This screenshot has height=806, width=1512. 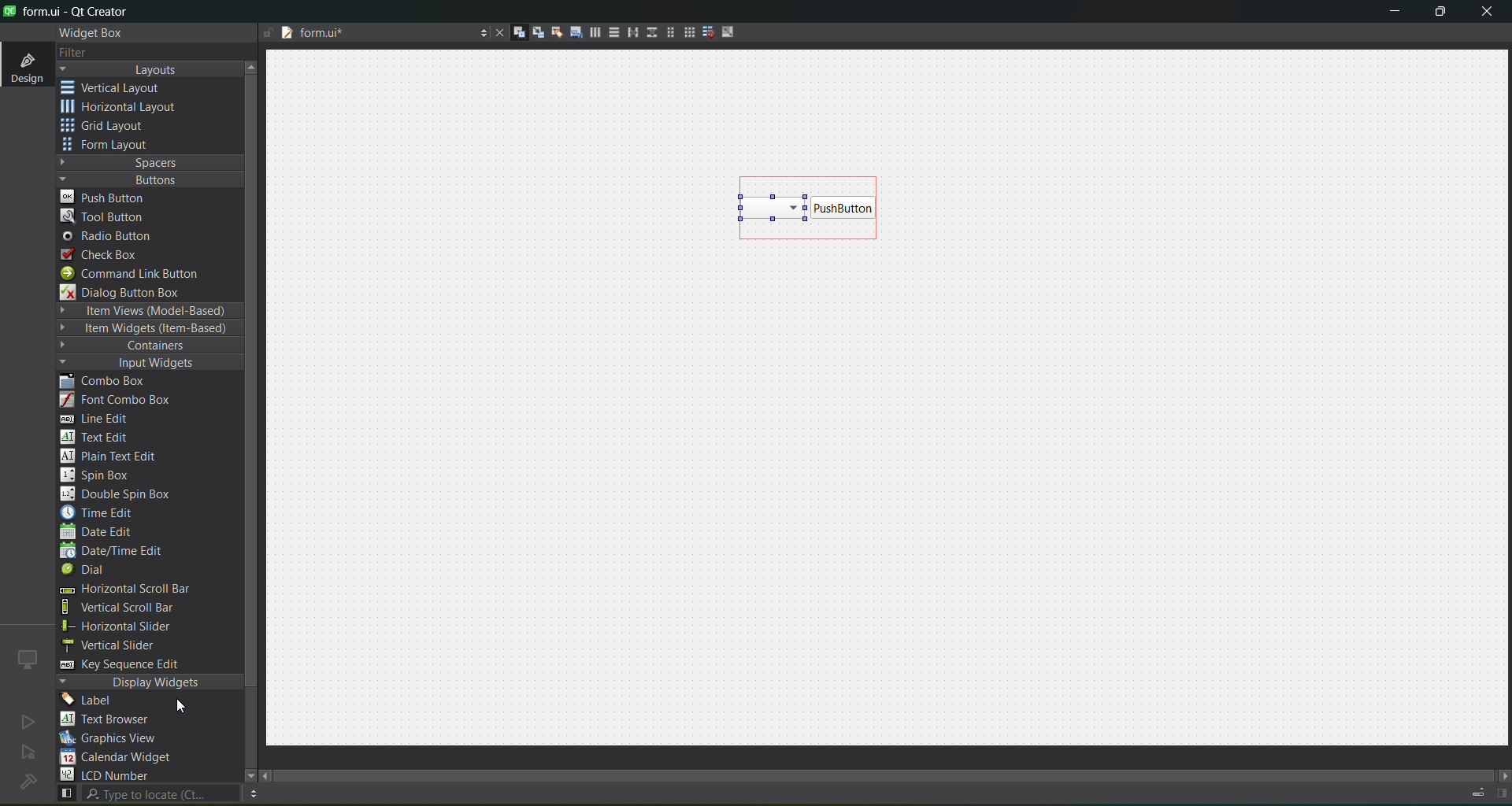 What do you see at coordinates (122, 109) in the screenshot?
I see `horizontal` at bounding box center [122, 109].